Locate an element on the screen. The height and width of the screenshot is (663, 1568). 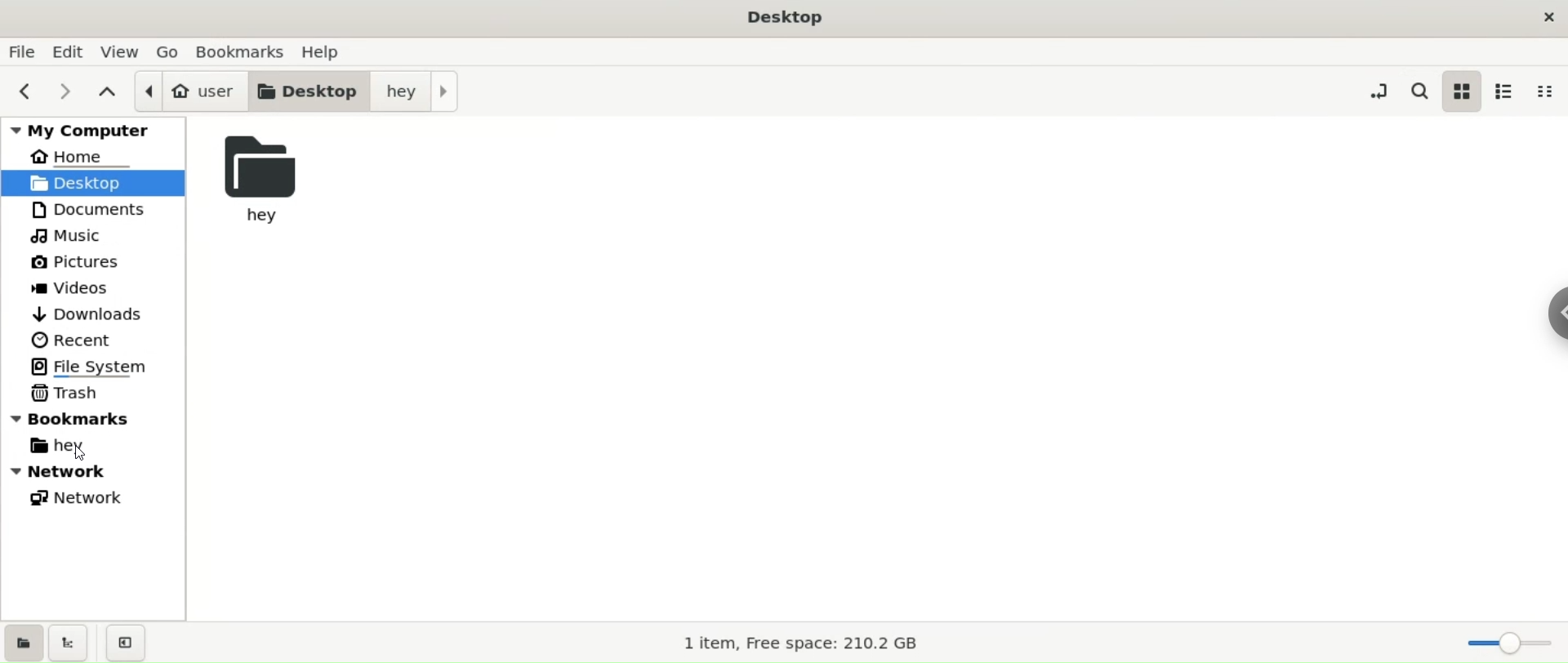
videos is located at coordinates (82, 288).